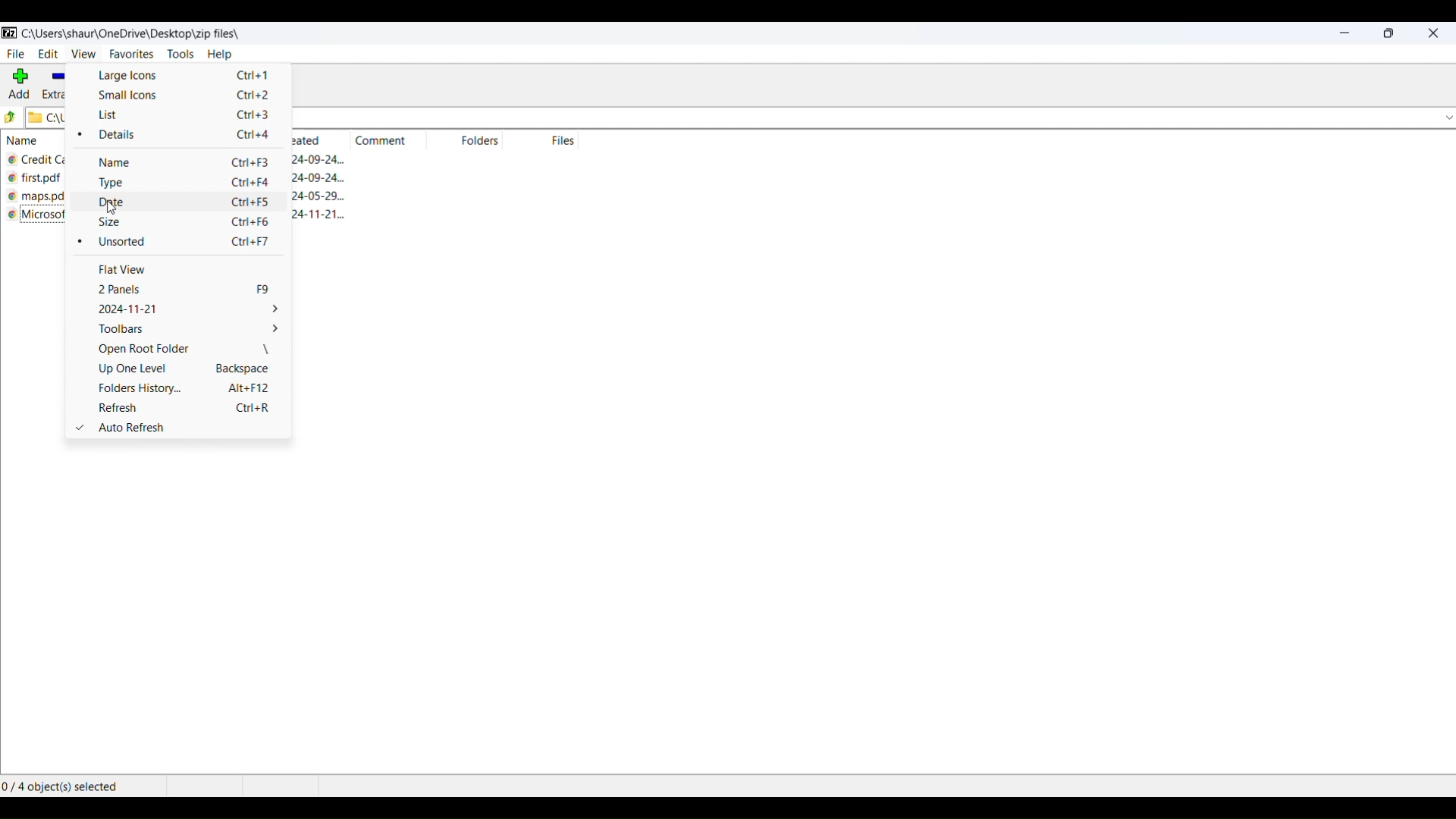 This screenshot has width=1456, height=819. What do you see at coordinates (221, 55) in the screenshot?
I see `help` at bounding box center [221, 55].